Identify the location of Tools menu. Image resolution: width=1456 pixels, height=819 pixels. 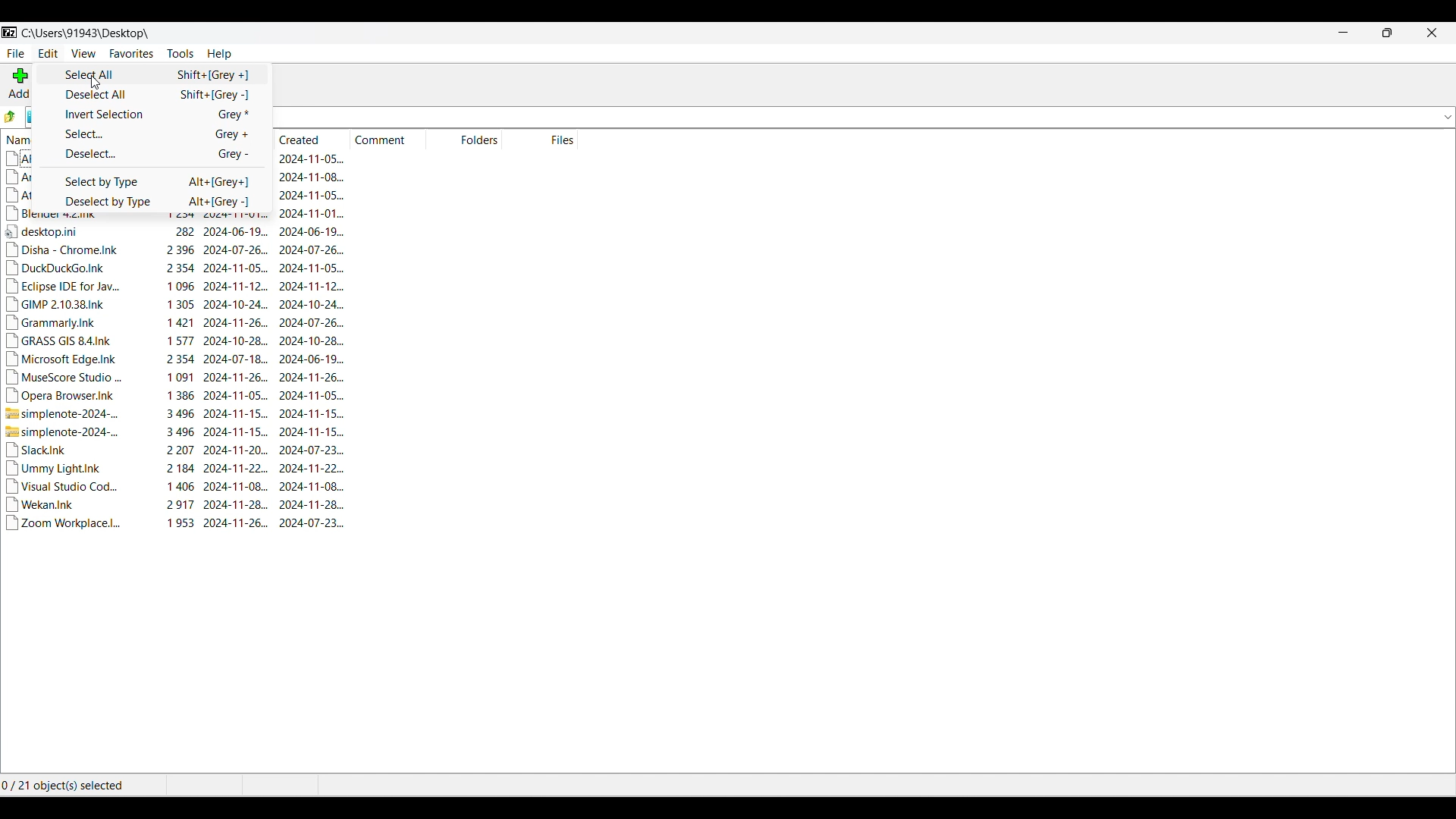
(180, 53).